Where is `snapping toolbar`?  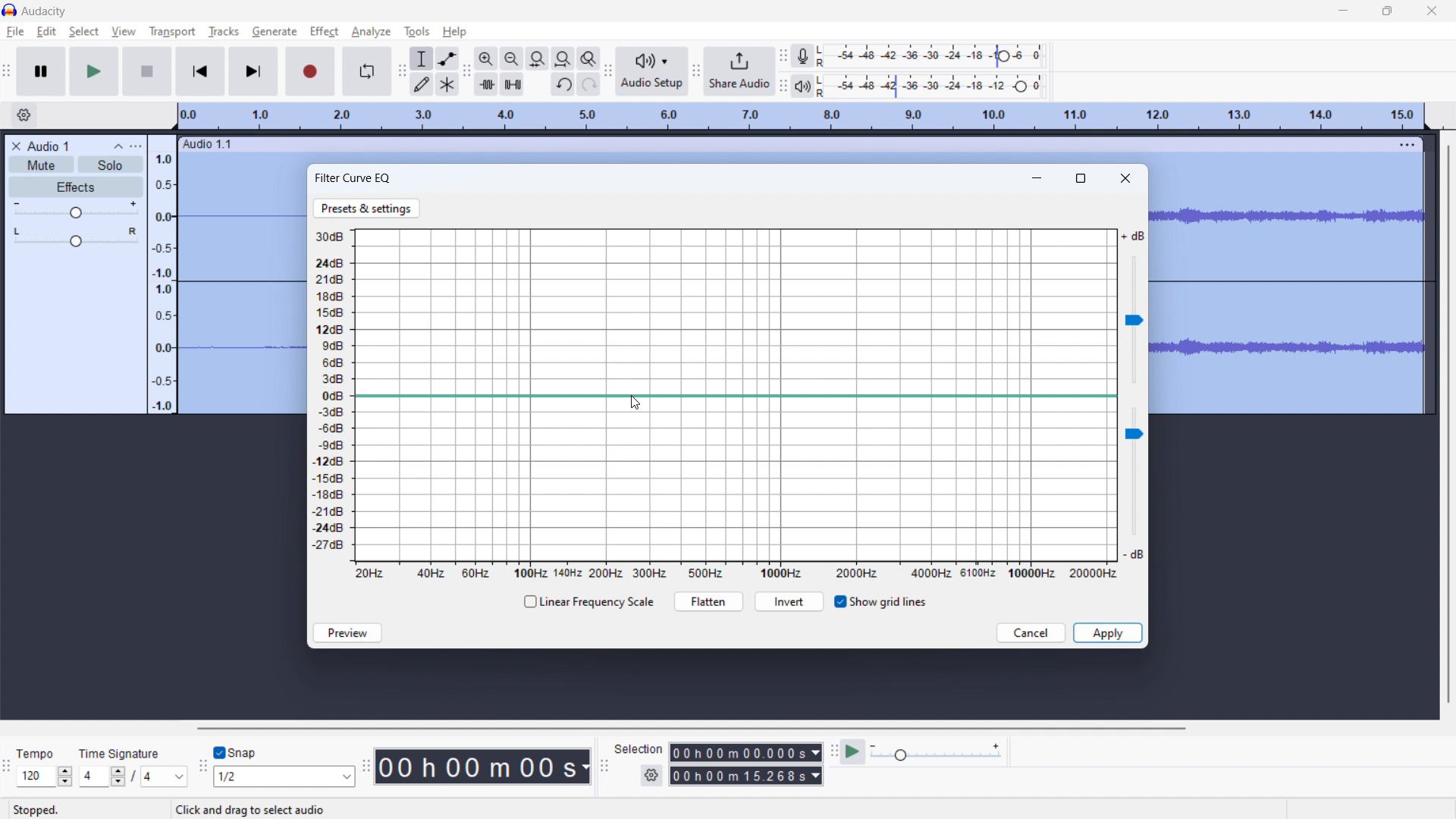 snapping toolbar is located at coordinates (202, 765).